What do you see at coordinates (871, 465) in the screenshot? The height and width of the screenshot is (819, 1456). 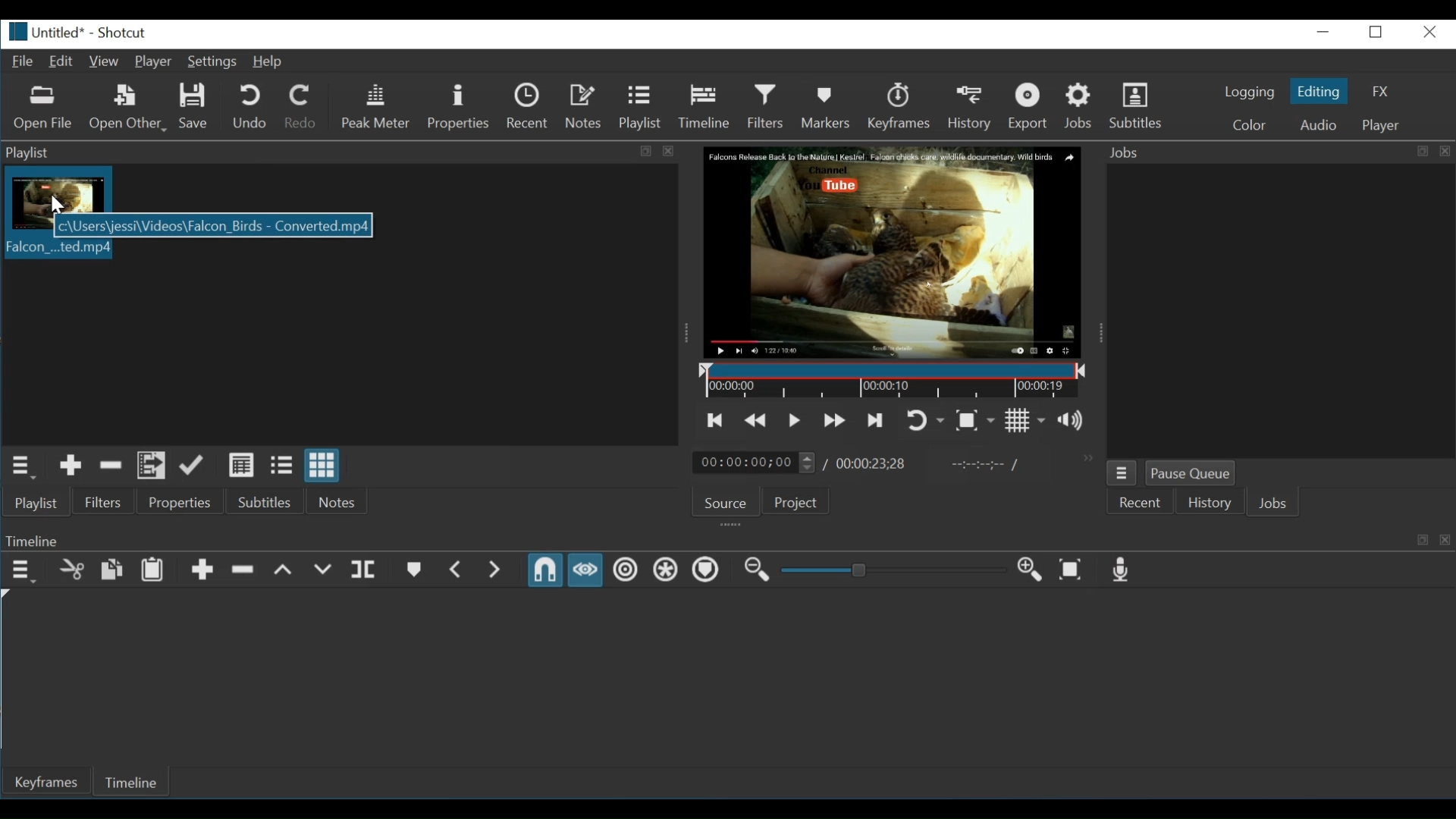 I see `Total Duration` at bounding box center [871, 465].